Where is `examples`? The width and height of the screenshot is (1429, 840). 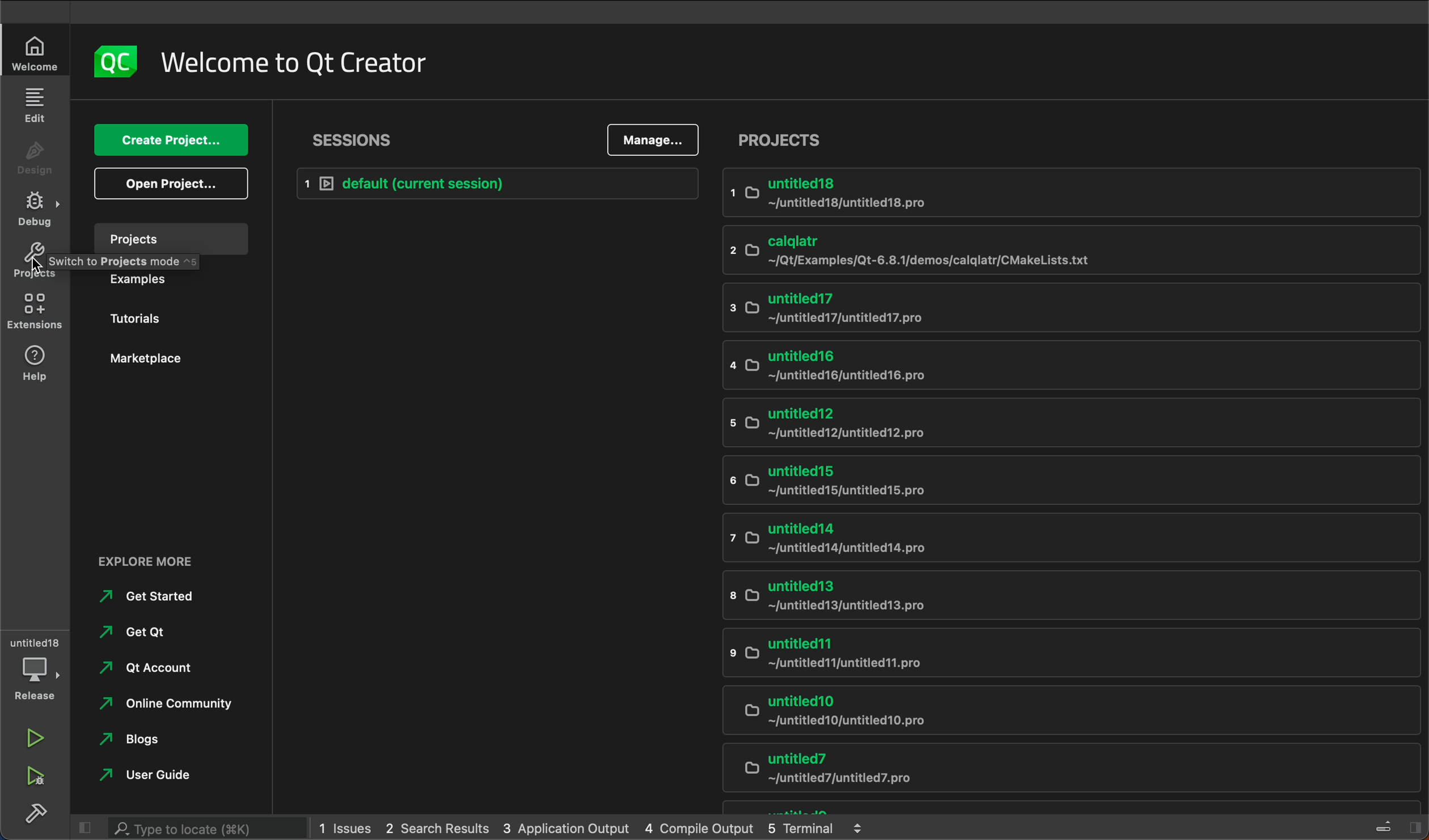
examples is located at coordinates (175, 285).